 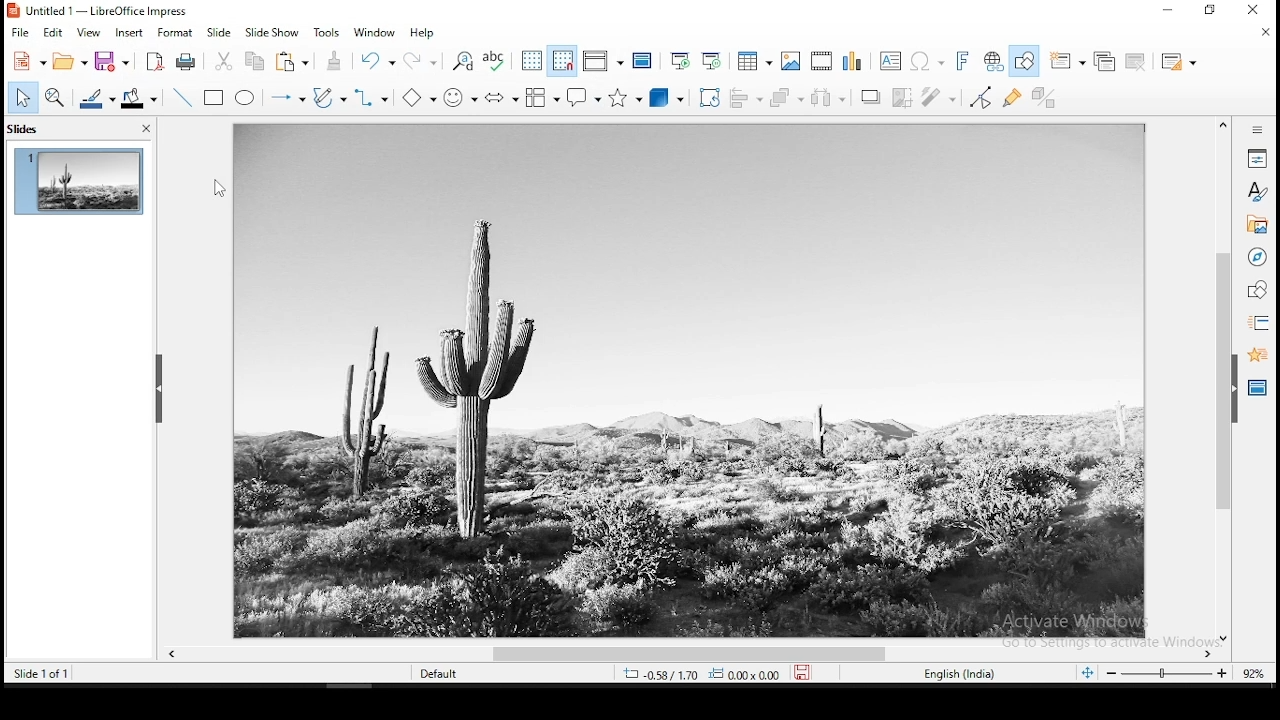 What do you see at coordinates (1254, 9) in the screenshot?
I see `close window` at bounding box center [1254, 9].